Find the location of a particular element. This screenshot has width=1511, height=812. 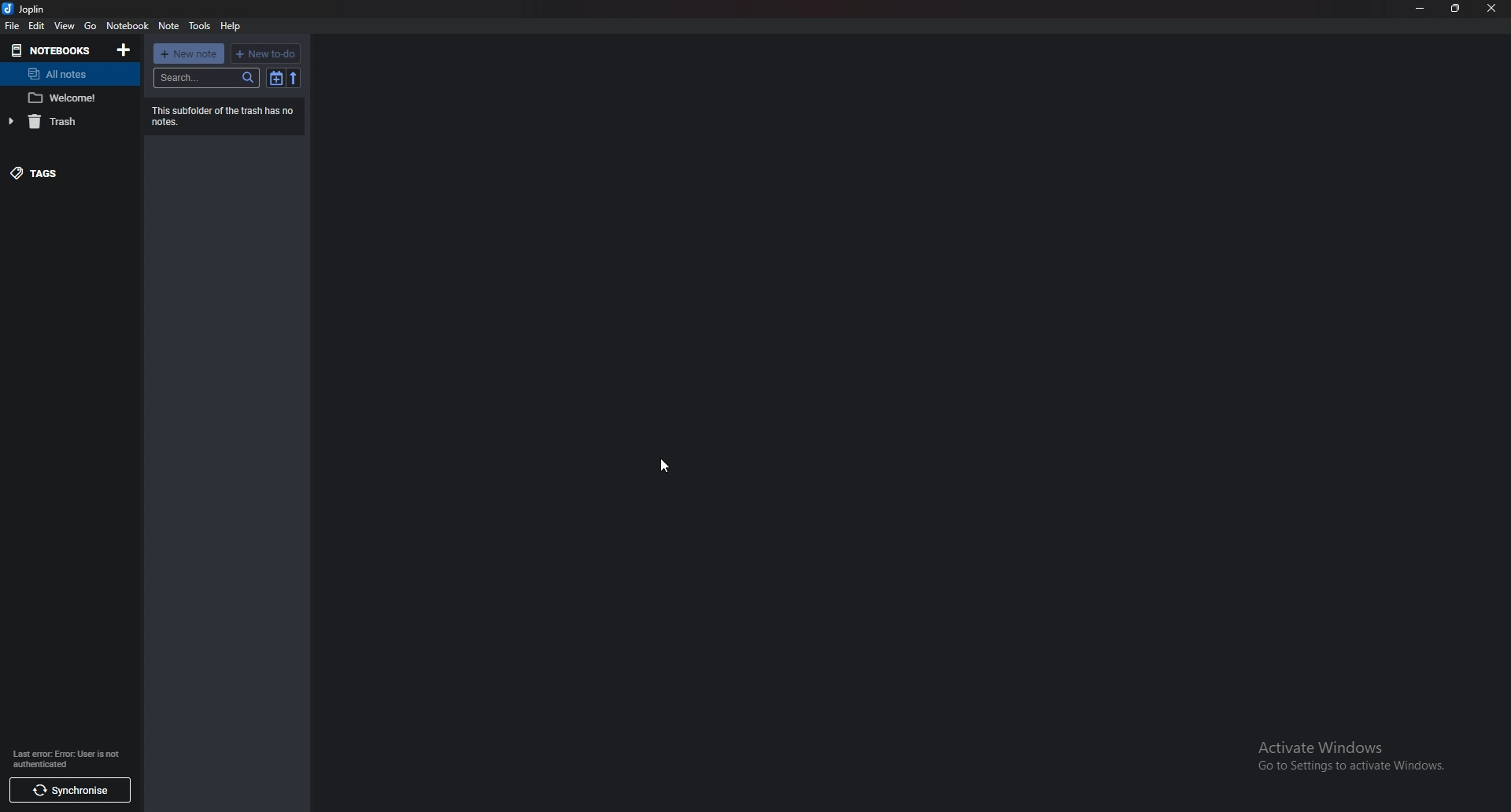

resize is located at coordinates (1456, 8).